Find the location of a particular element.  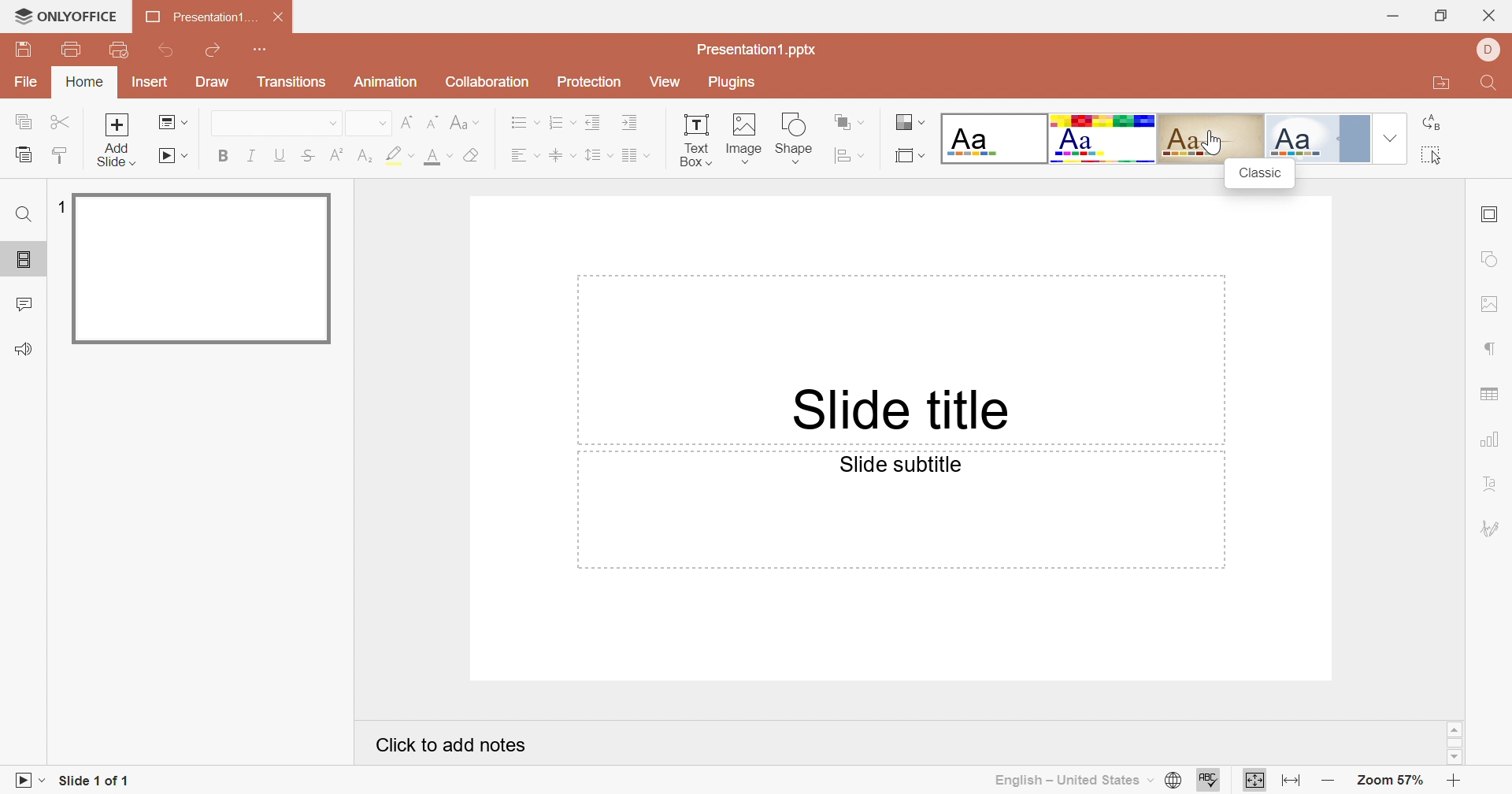

Open file location is located at coordinates (1446, 85).